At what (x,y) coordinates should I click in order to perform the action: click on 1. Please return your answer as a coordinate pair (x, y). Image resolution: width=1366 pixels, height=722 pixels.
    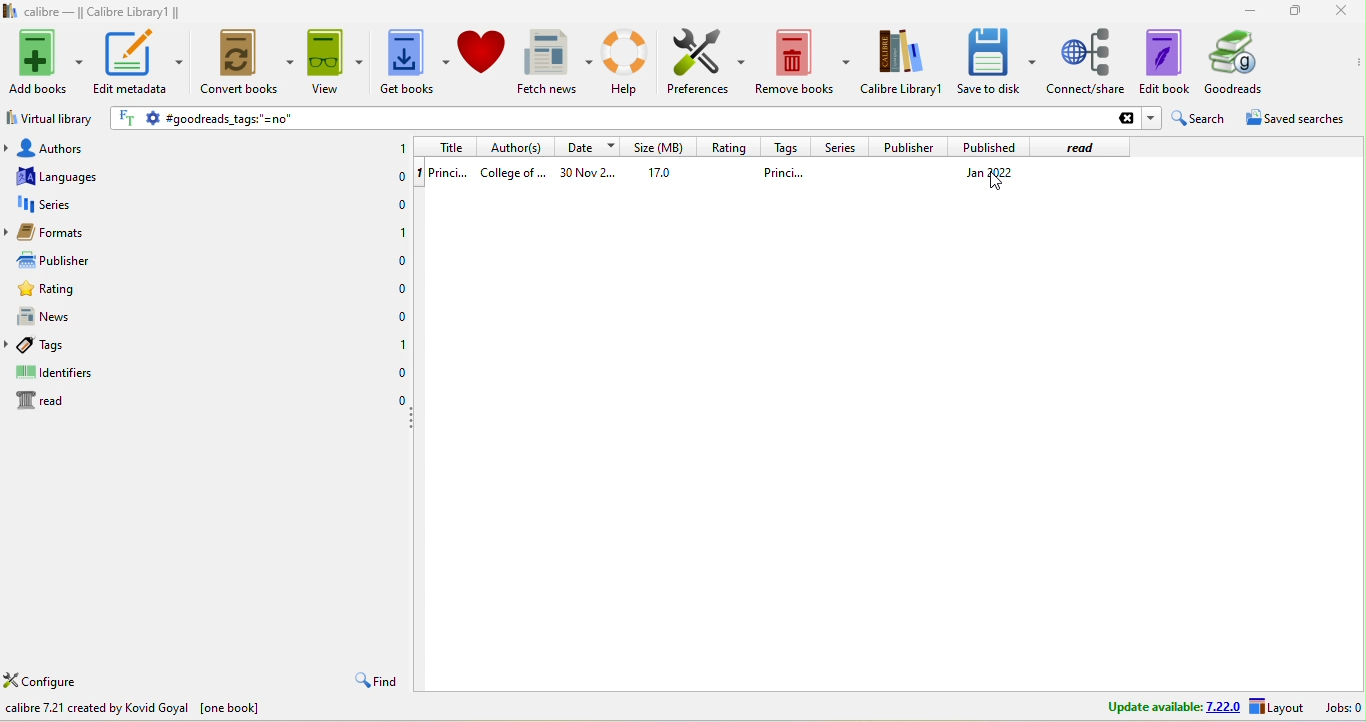
    Looking at the image, I should click on (400, 343).